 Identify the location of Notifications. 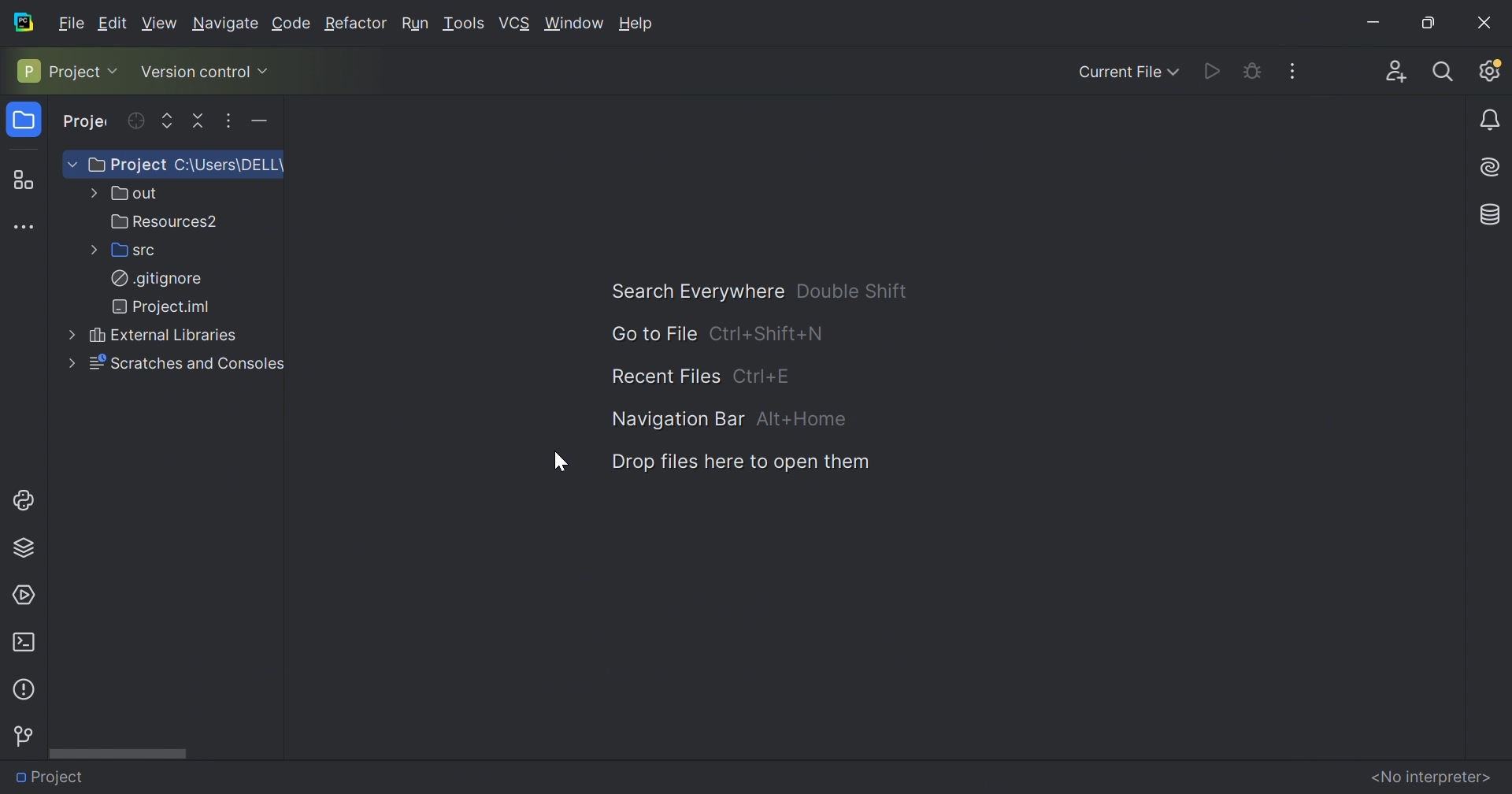
(1492, 121).